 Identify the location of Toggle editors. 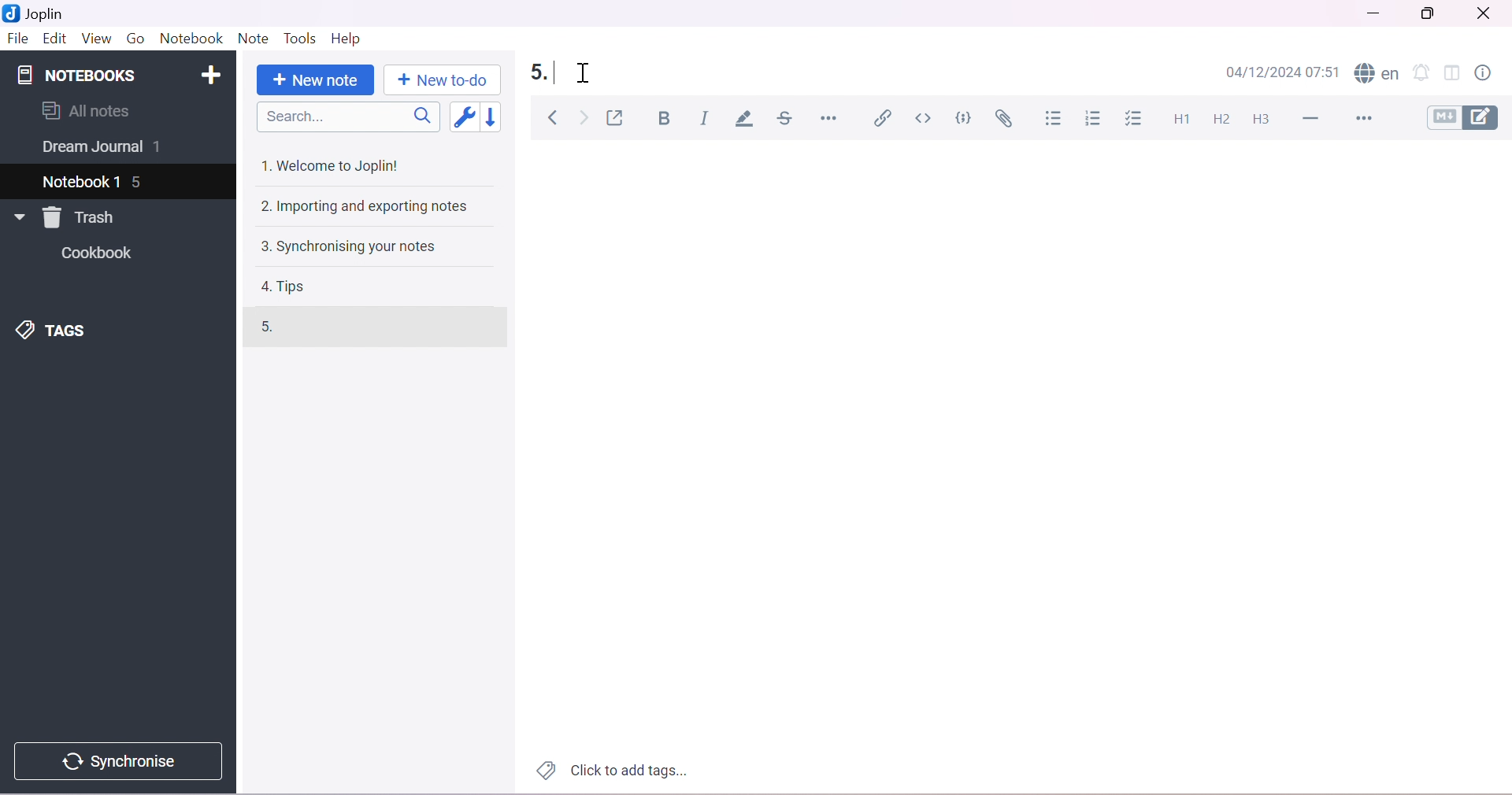
(1467, 117).